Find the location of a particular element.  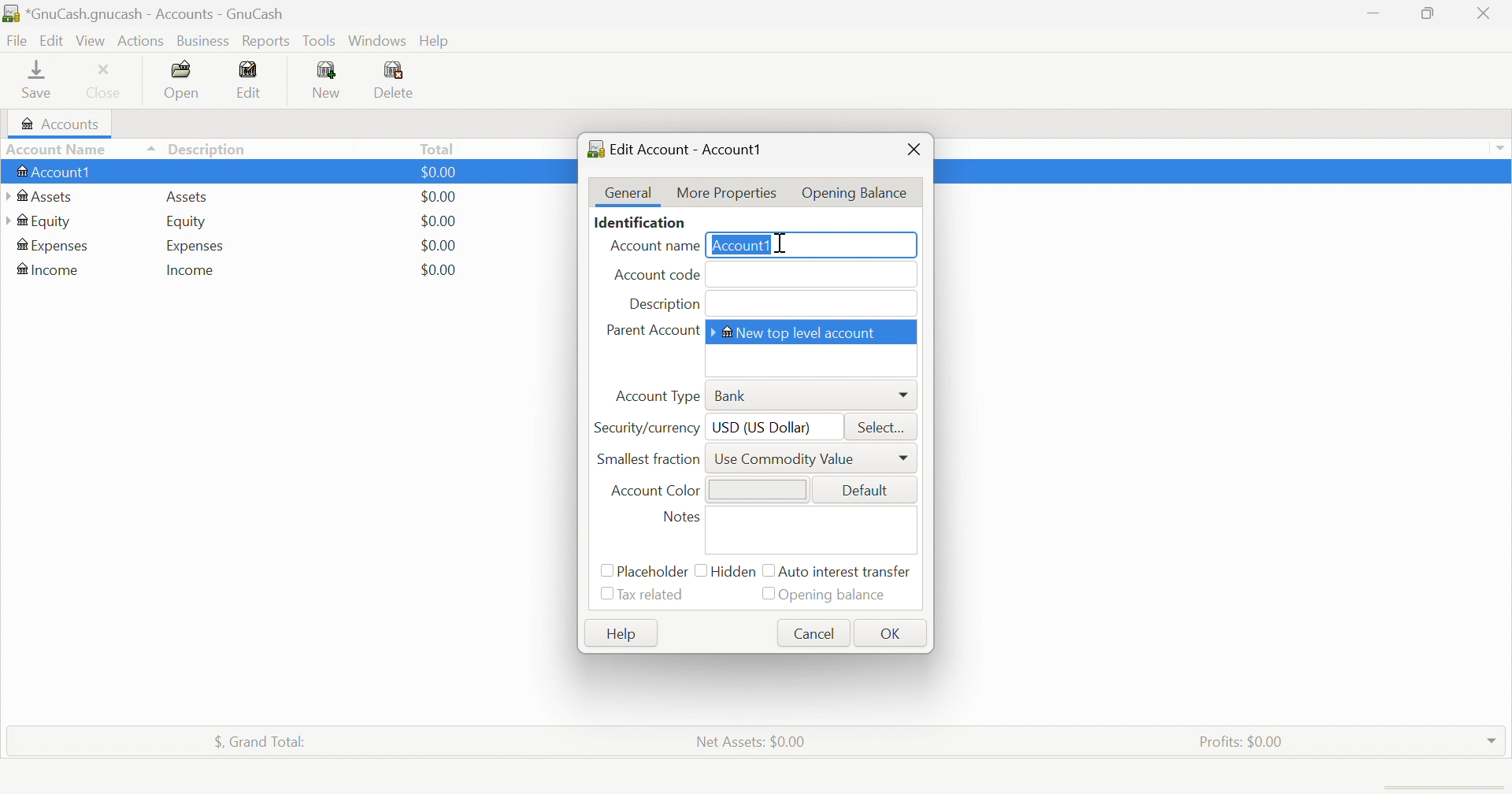

Opening balance is located at coordinates (823, 594).